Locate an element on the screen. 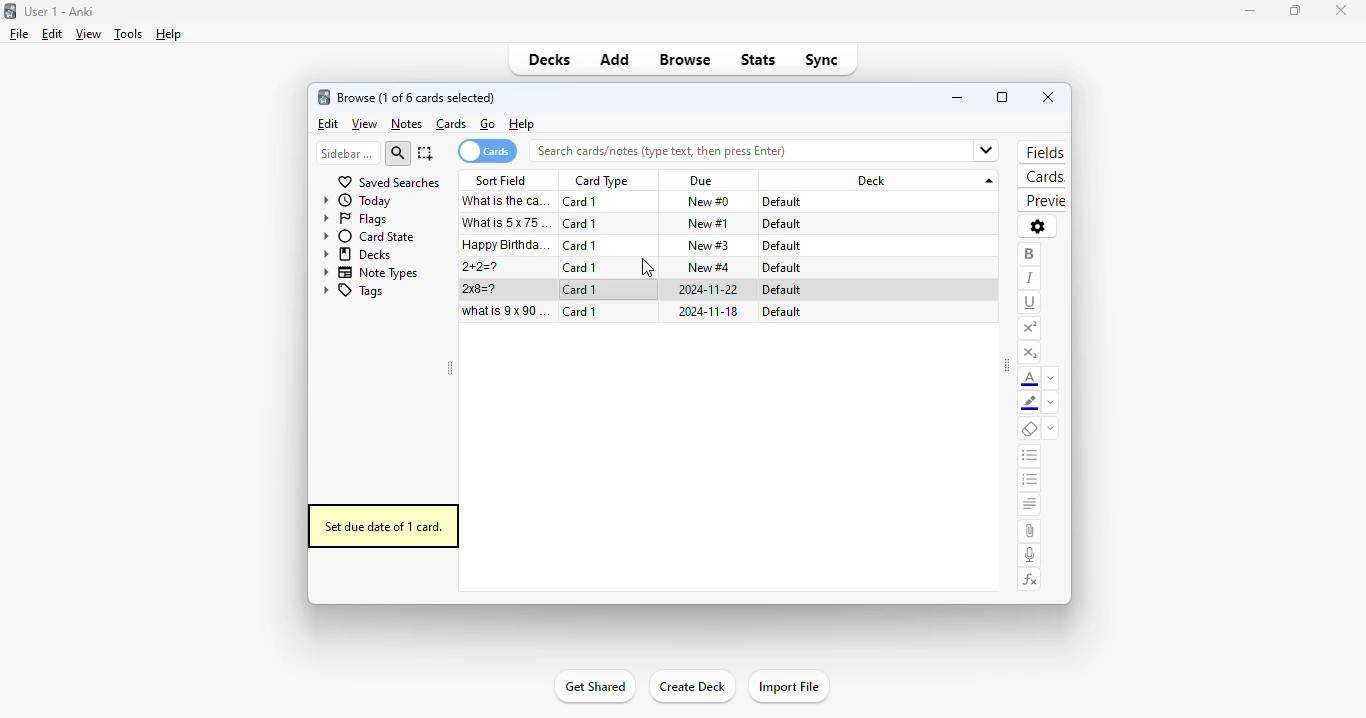 This screenshot has width=1366, height=718. subscript is located at coordinates (1029, 353).